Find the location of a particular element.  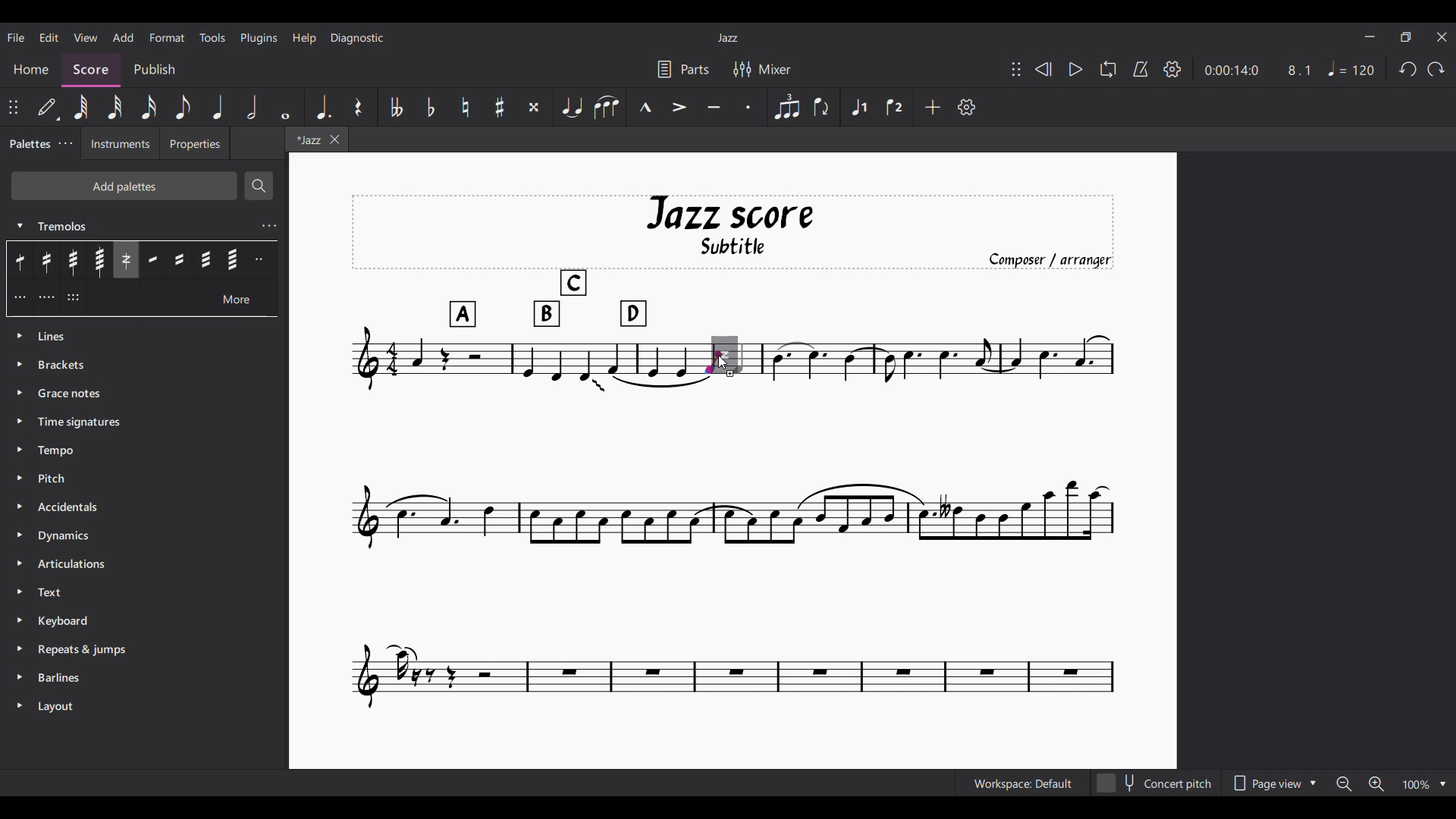

Add is located at coordinates (934, 107).